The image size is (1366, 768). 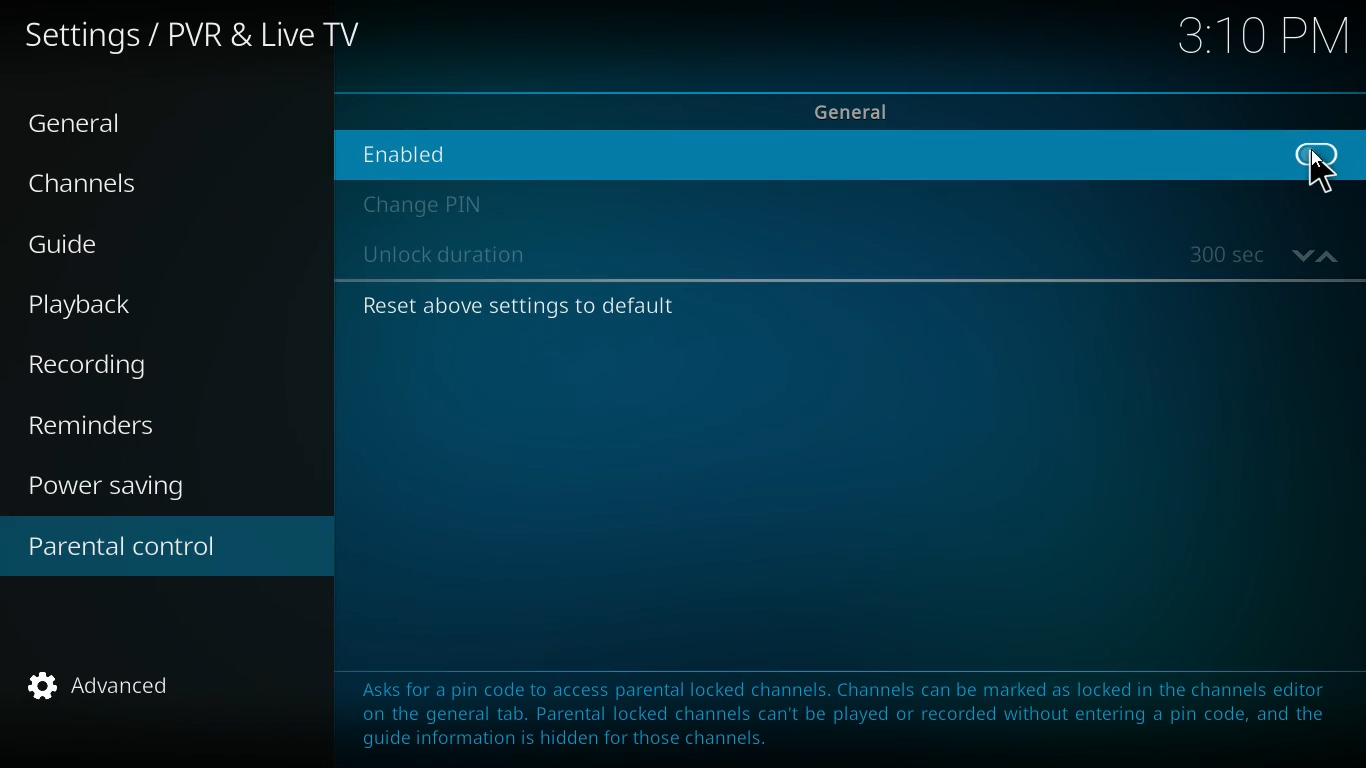 What do you see at coordinates (451, 257) in the screenshot?
I see `unlock duration` at bounding box center [451, 257].